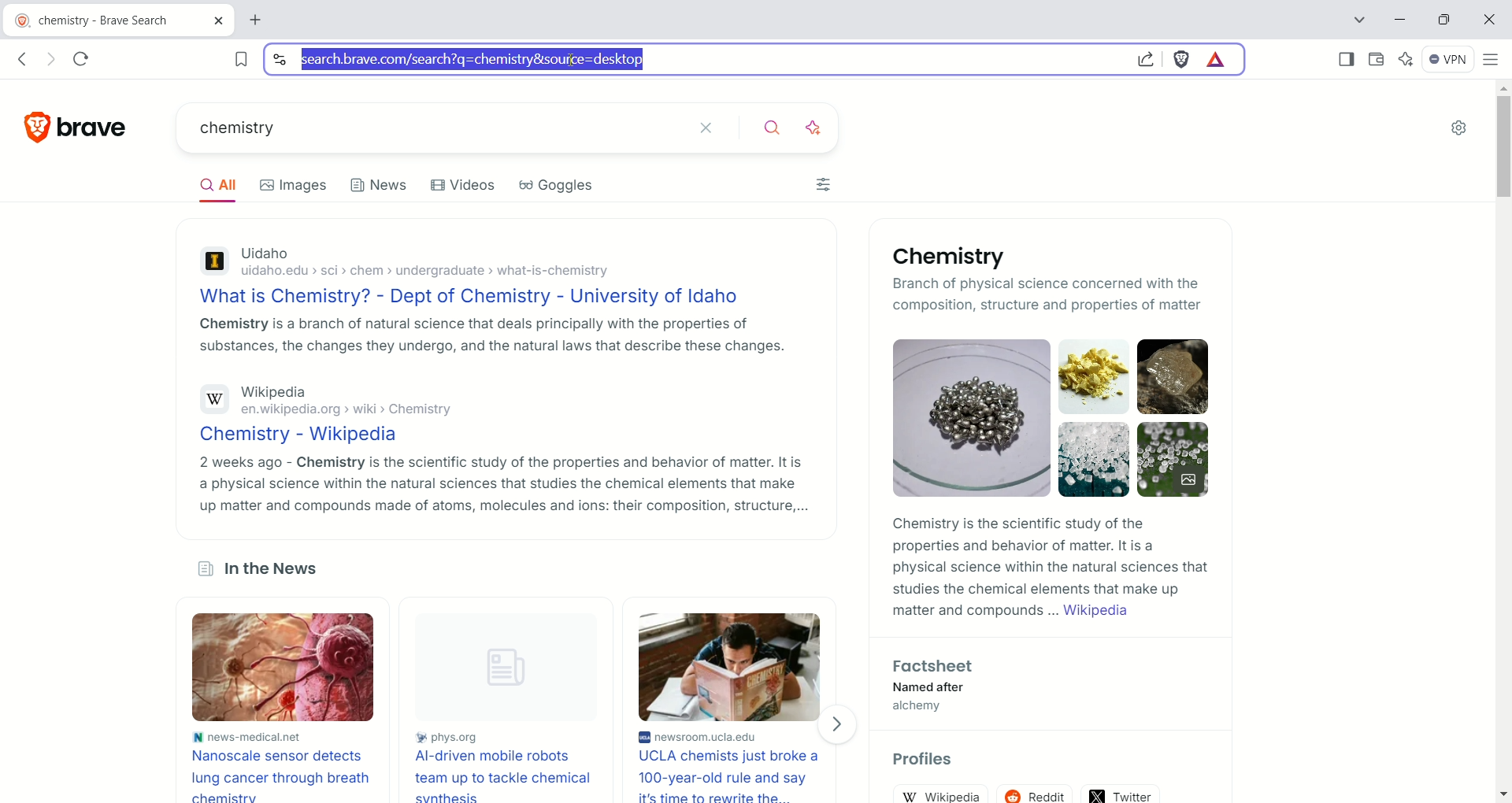 The width and height of the screenshot is (1512, 803). What do you see at coordinates (1377, 61) in the screenshot?
I see `wallet` at bounding box center [1377, 61].